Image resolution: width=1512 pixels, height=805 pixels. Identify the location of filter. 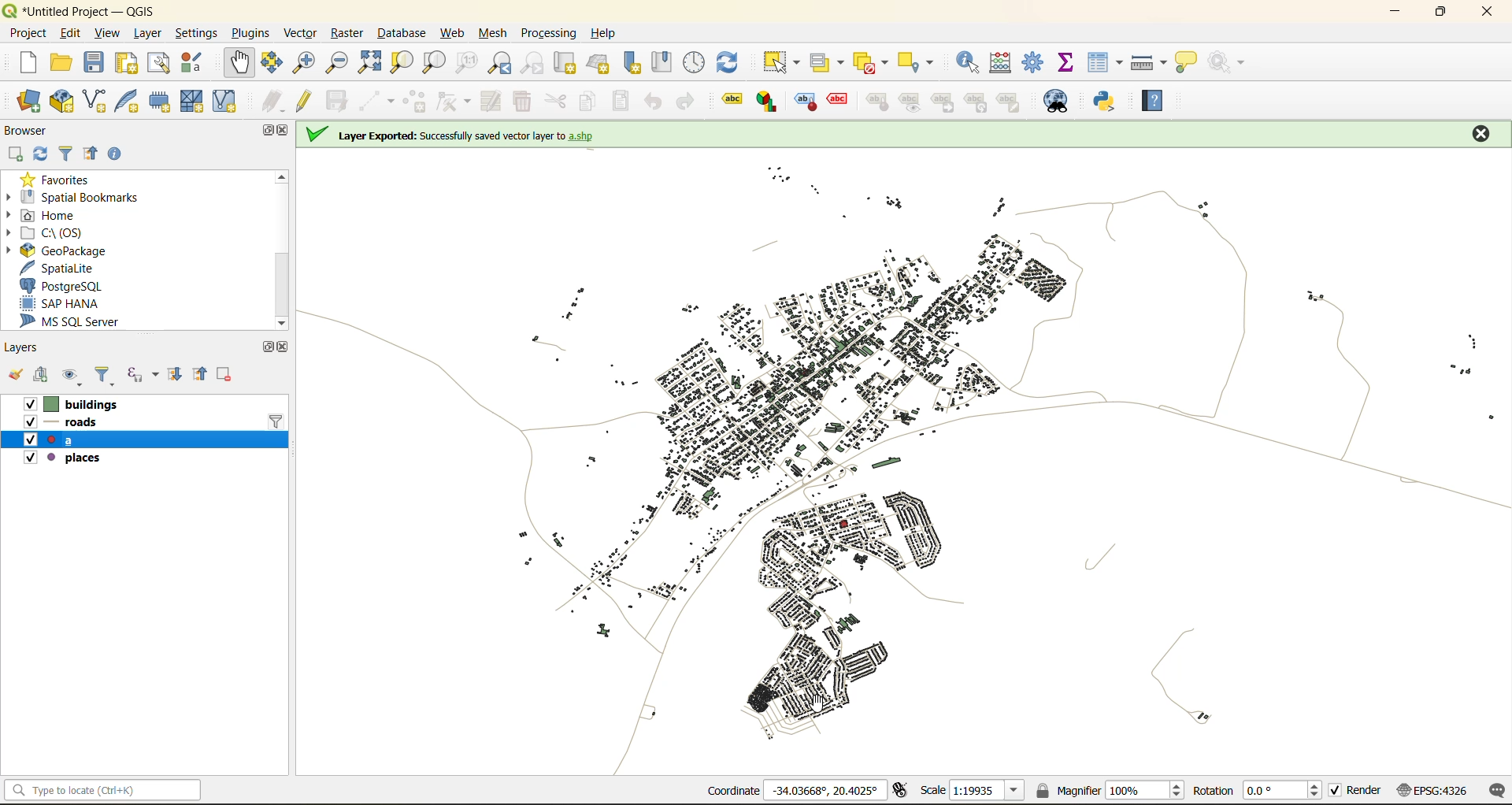
(278, 421).